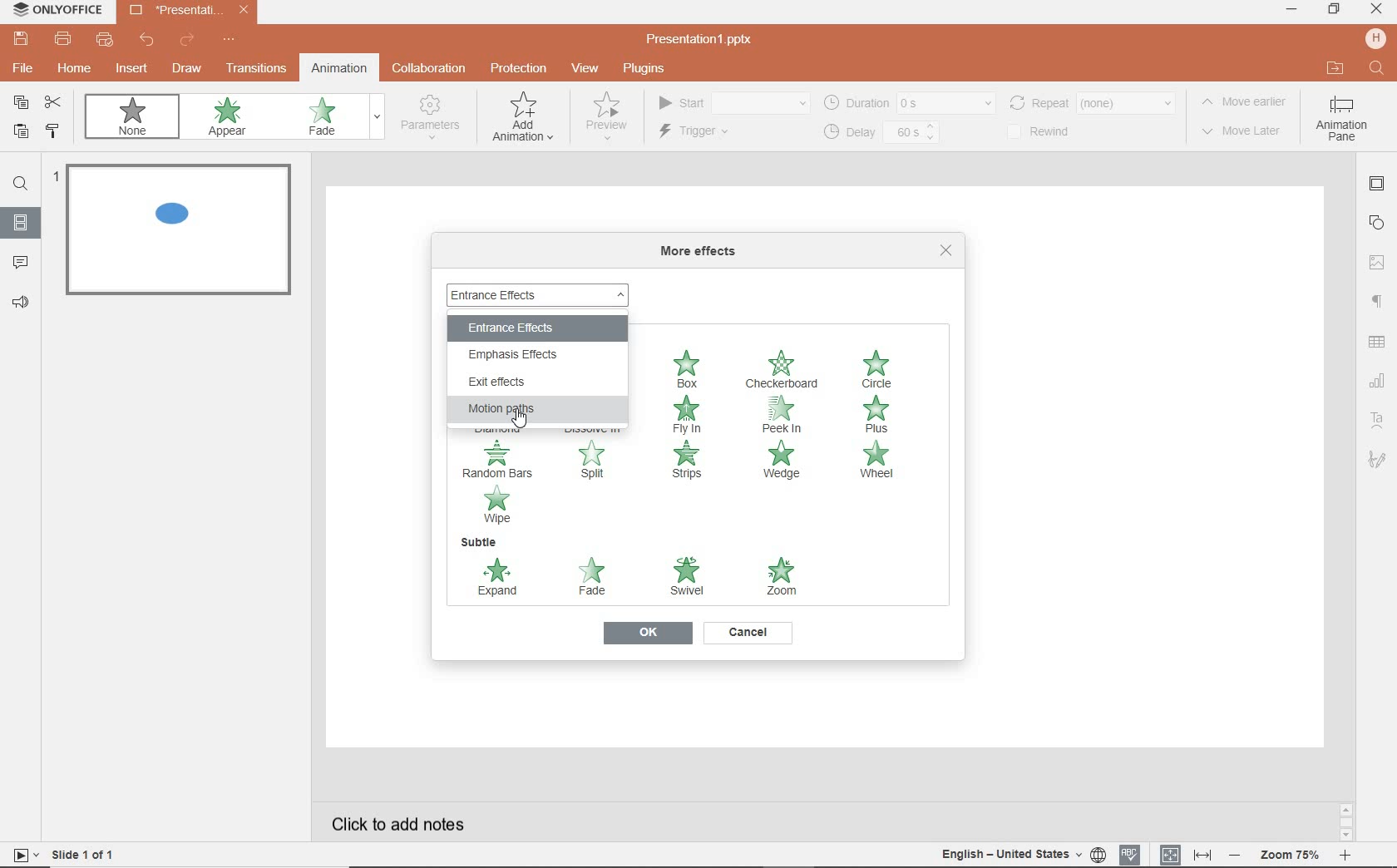 This screenshot has height=868, width=1397. Describe the element at coordinates (331, 118) in the screenshot. I see `fade` at that location.